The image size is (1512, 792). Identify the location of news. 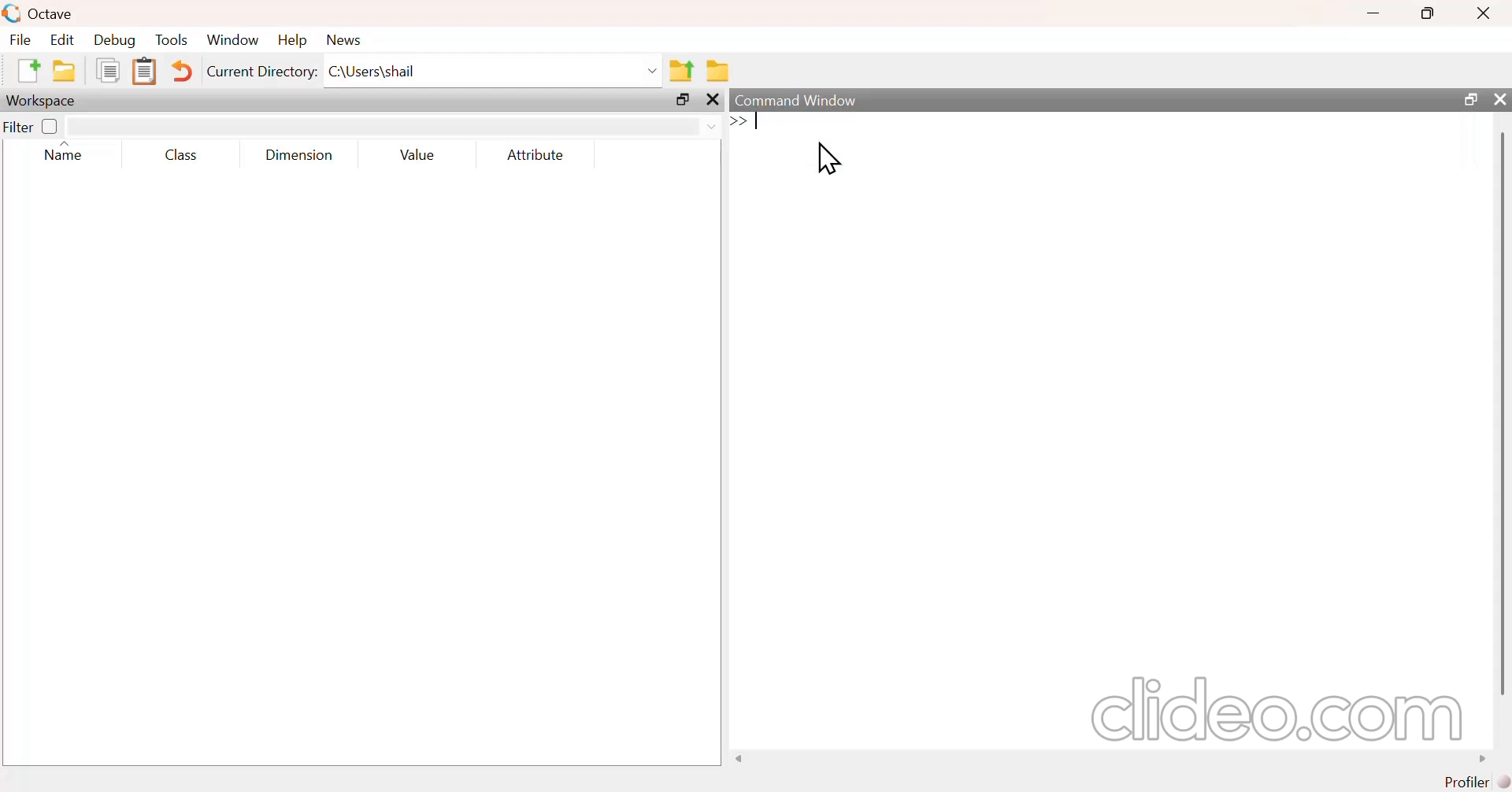
(345, 40).